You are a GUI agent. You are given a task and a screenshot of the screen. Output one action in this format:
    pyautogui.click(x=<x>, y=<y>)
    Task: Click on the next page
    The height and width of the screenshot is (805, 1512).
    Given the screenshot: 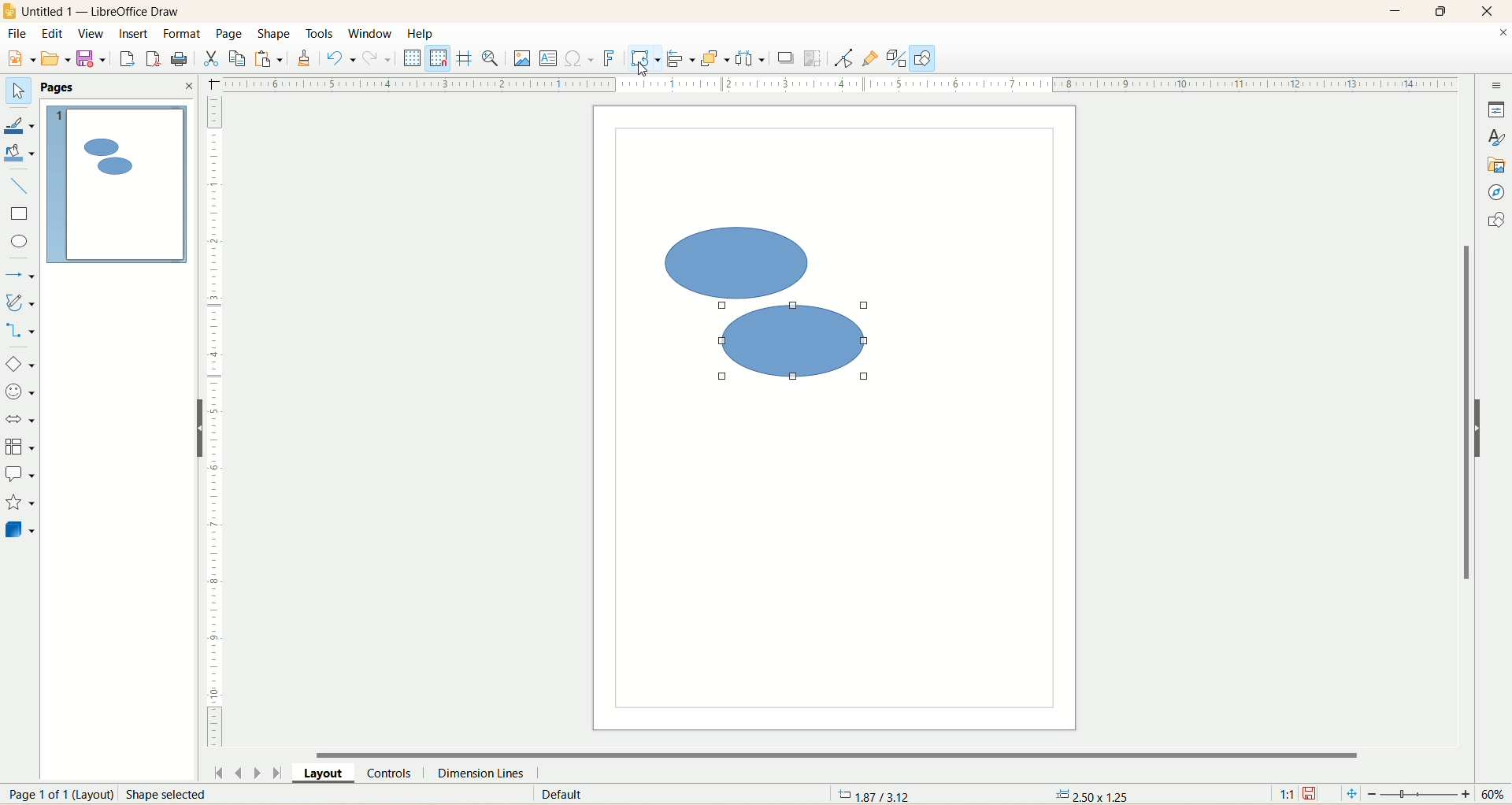 What is the action you would take?
    pyautogui.click(x=259, y=773)
    